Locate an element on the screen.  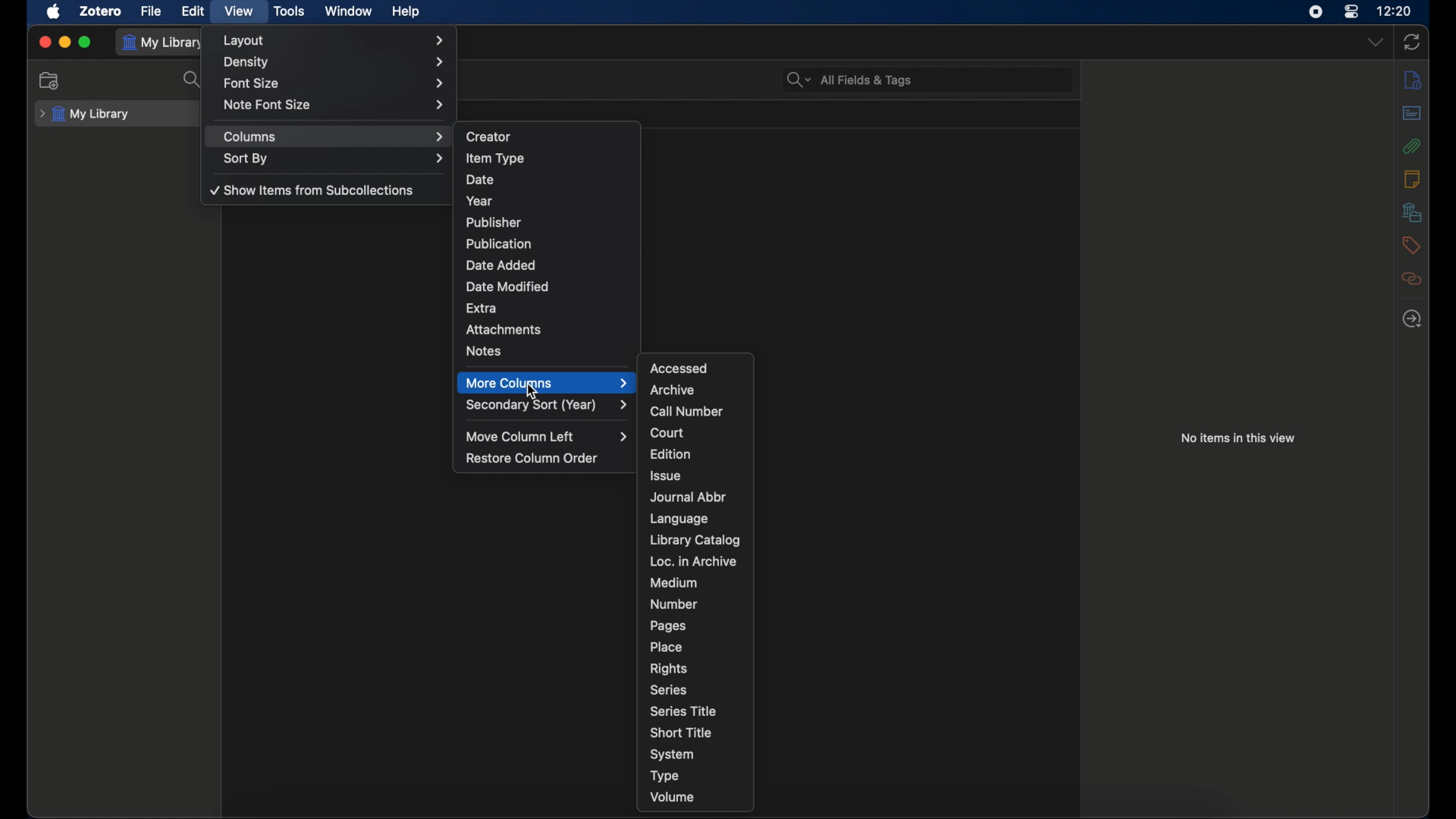
court is located at coordinates (668, 433).